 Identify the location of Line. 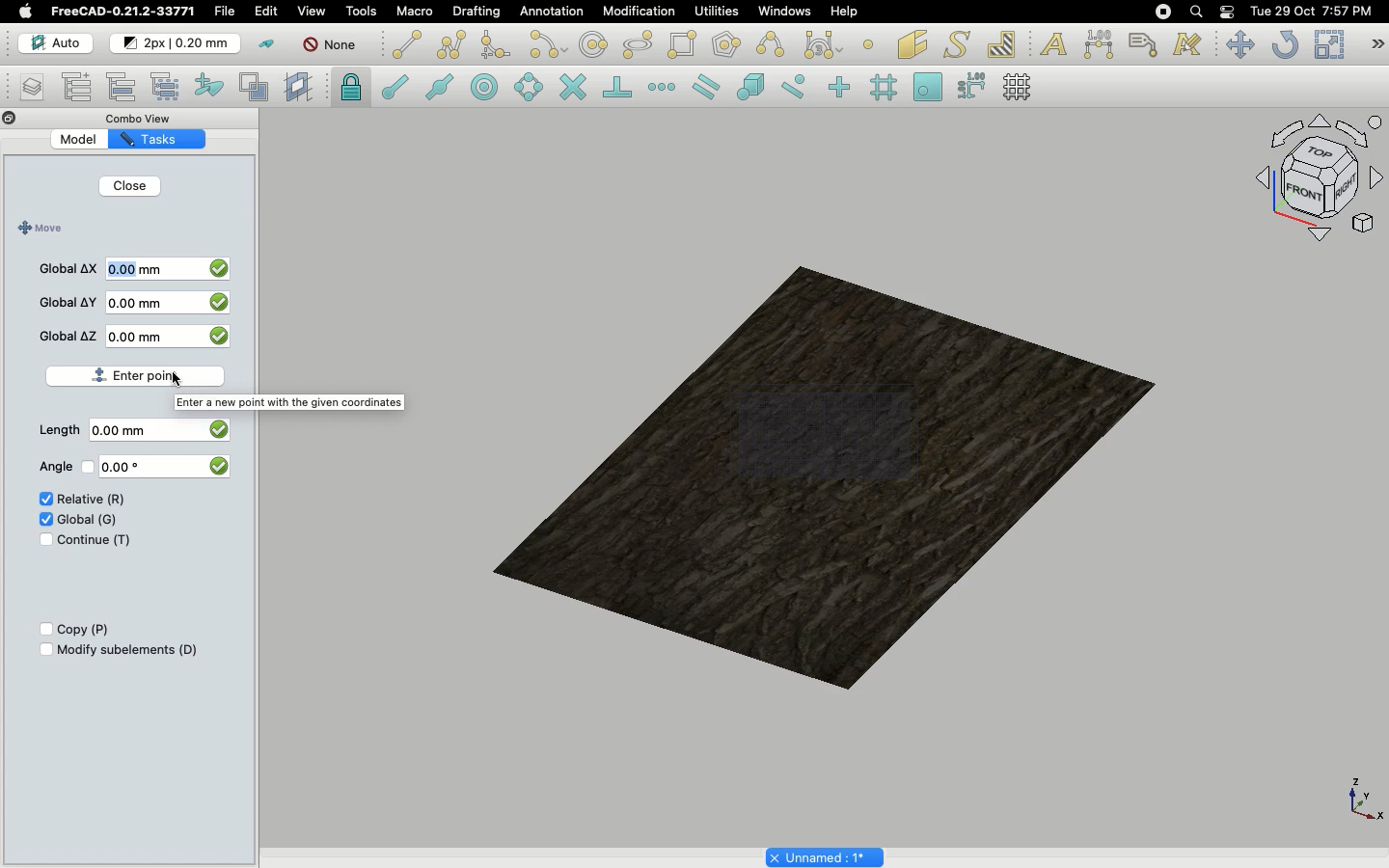
(407, 44).